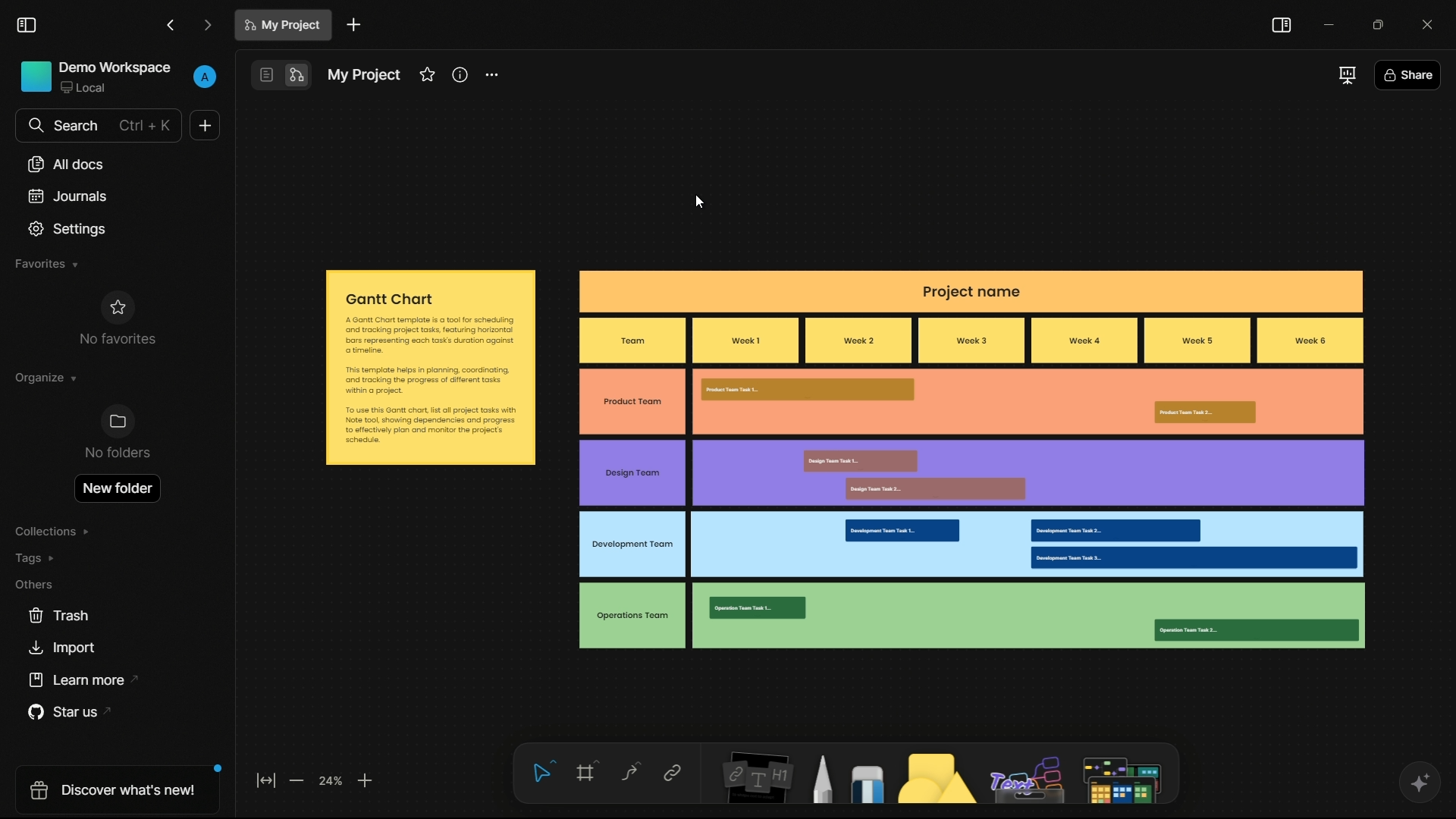 The width and height of the screenshot is (1456, 819). What do you see at coordinates (1407, 74) in the screenshot?
I see `share` at bounding box center [1407, 74].